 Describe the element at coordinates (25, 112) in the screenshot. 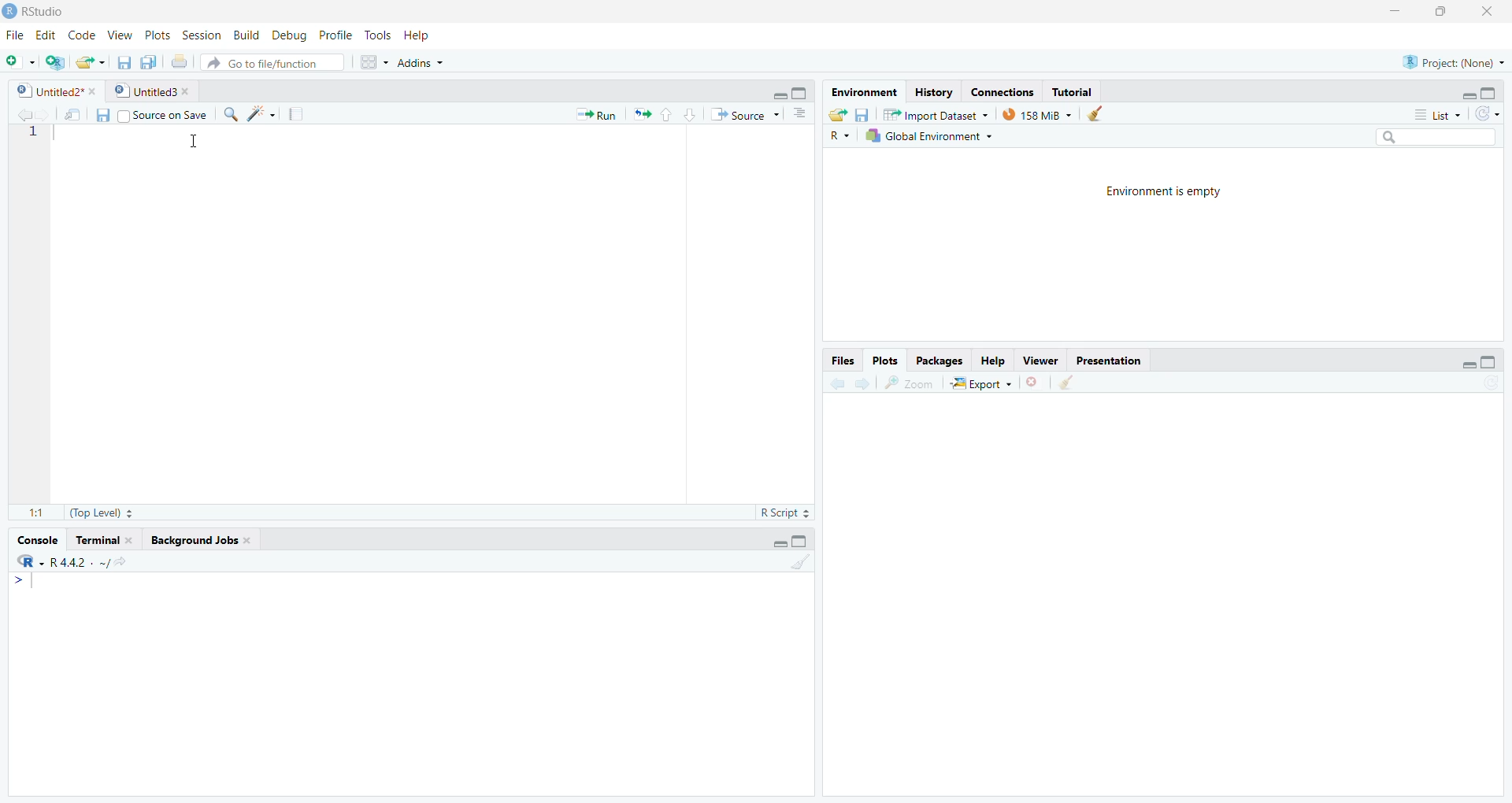

I see `forward/backward` at that location.